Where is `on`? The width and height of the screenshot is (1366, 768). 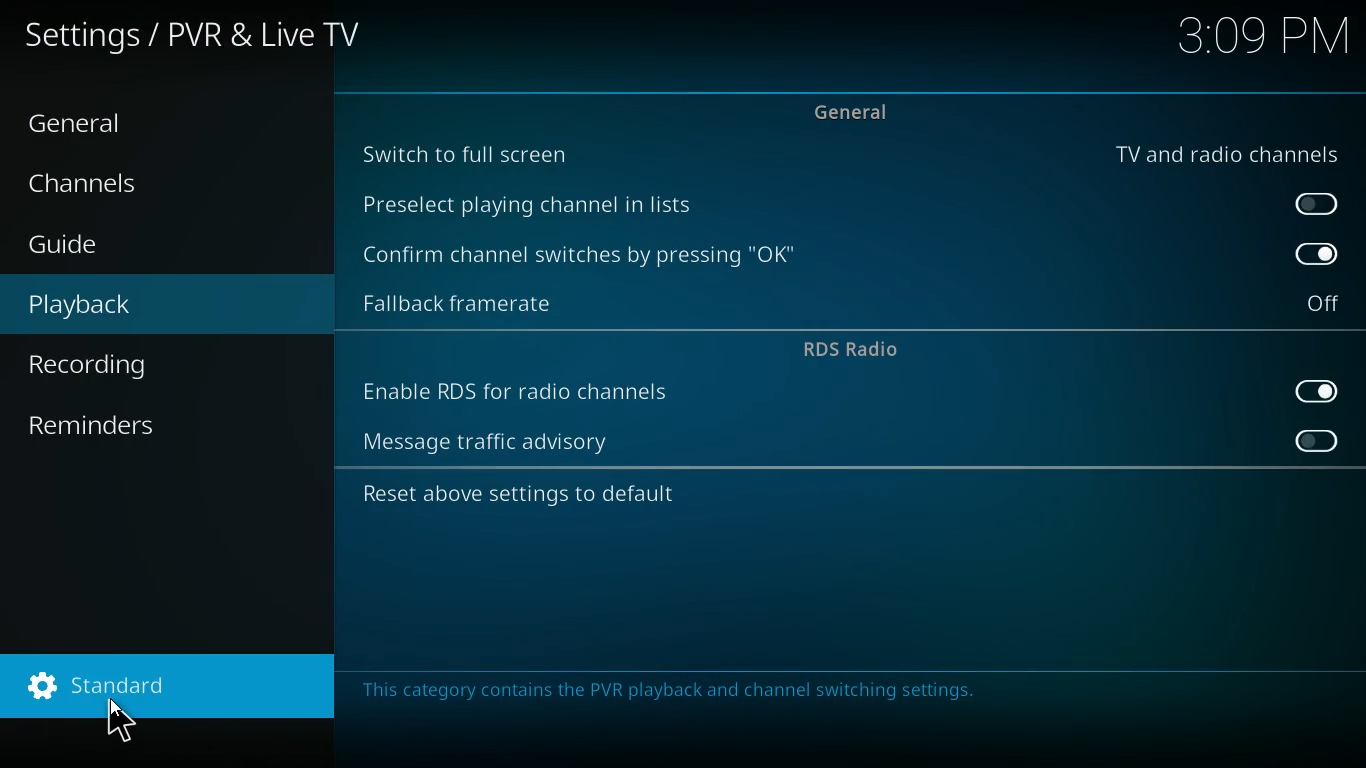
on is located at coordinates (1310, 391).